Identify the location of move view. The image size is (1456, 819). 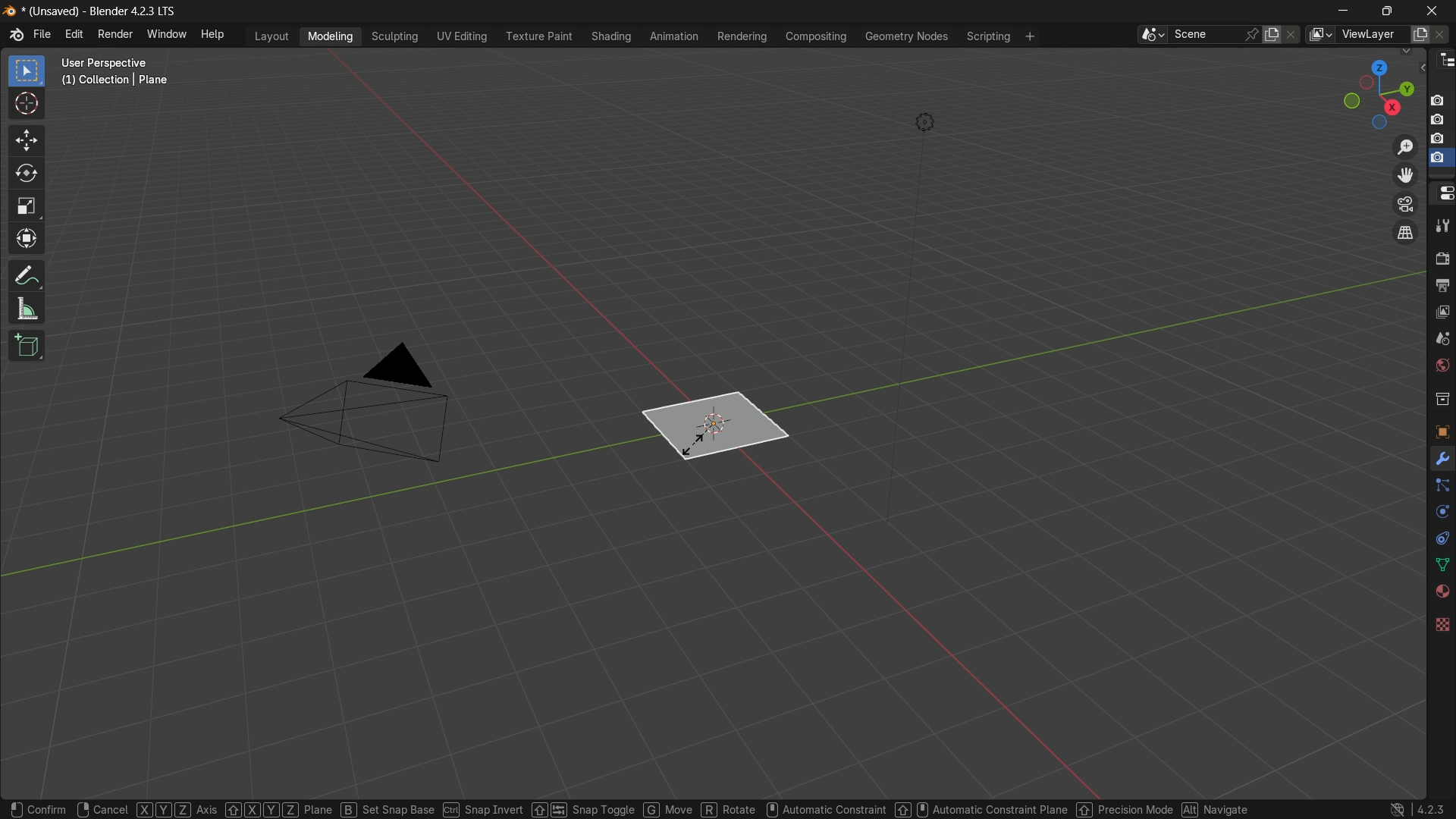
(1406, 176).